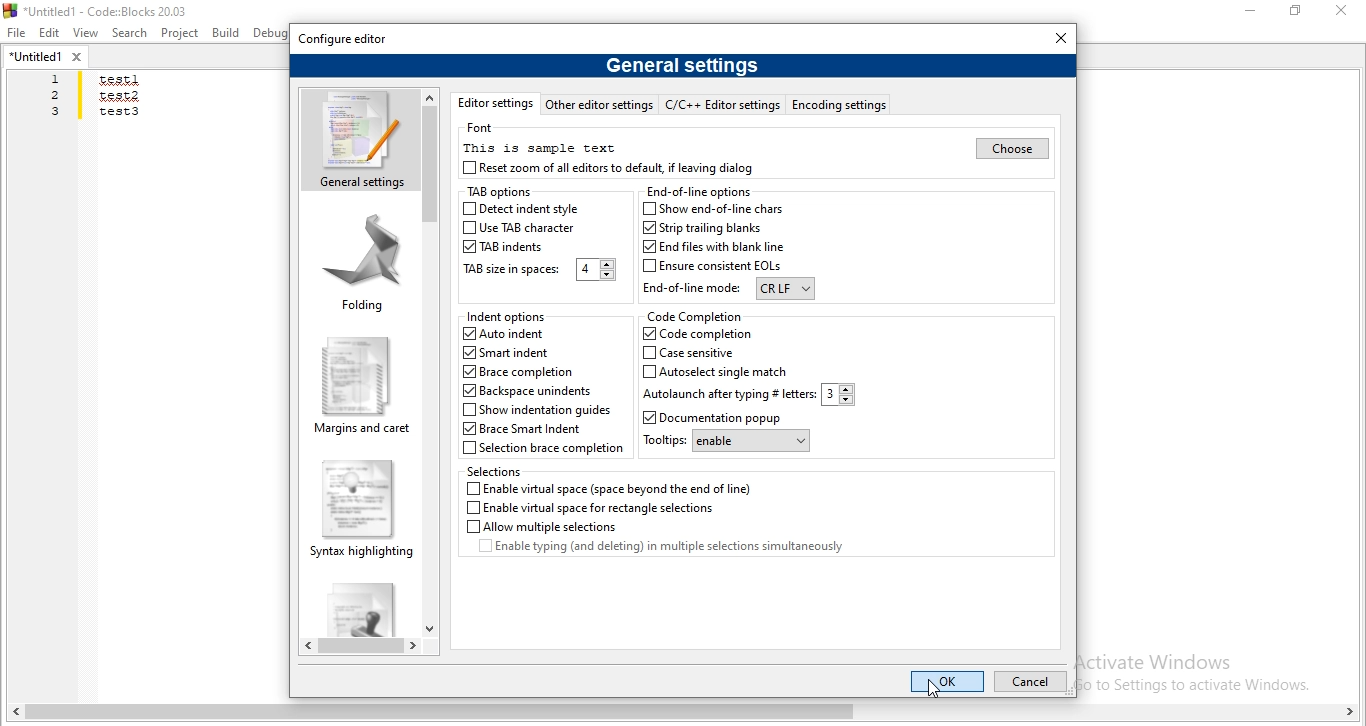  I want to click on Edit , so click(50, 34).